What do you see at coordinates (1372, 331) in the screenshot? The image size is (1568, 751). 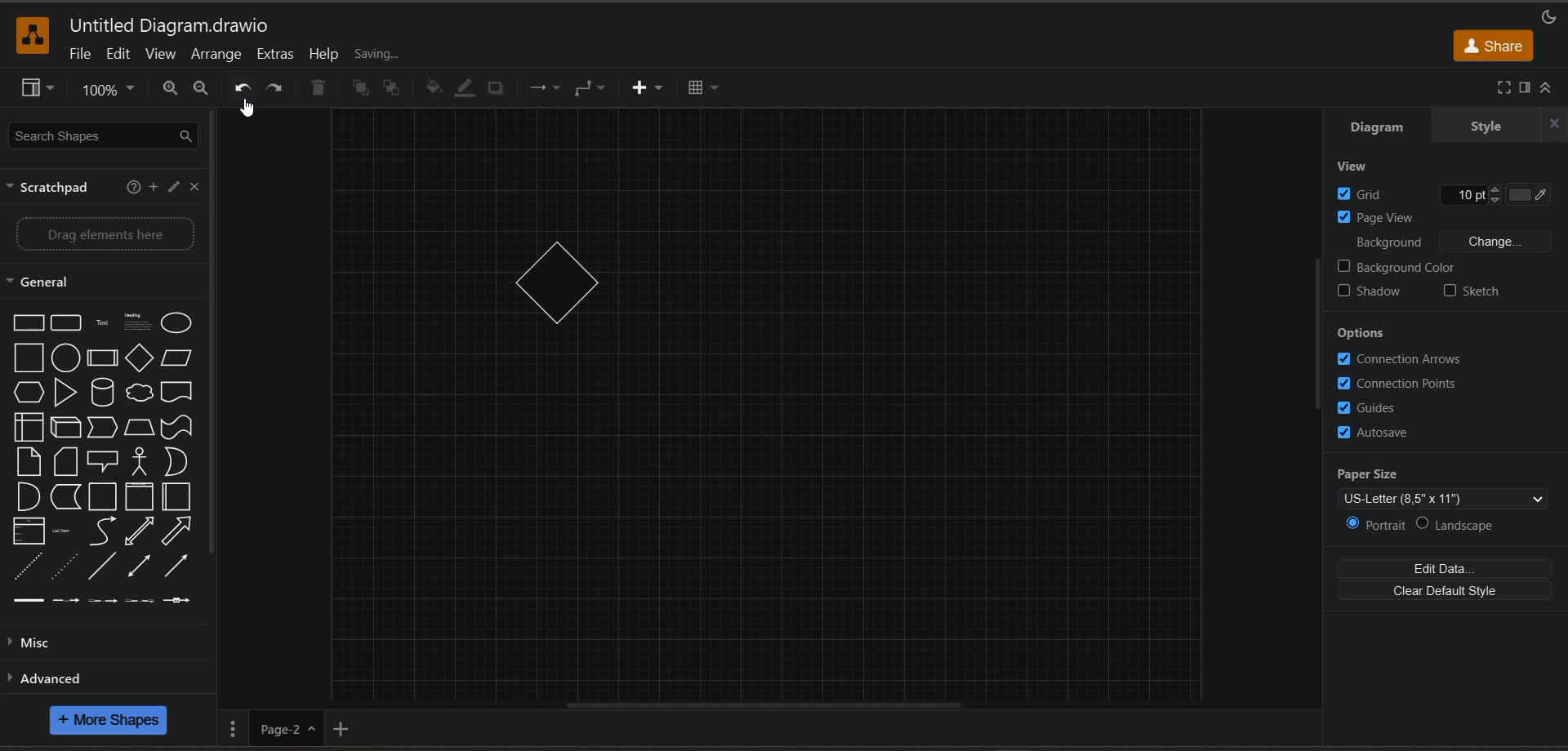 I see `options` at bounding box center [1372, 331].